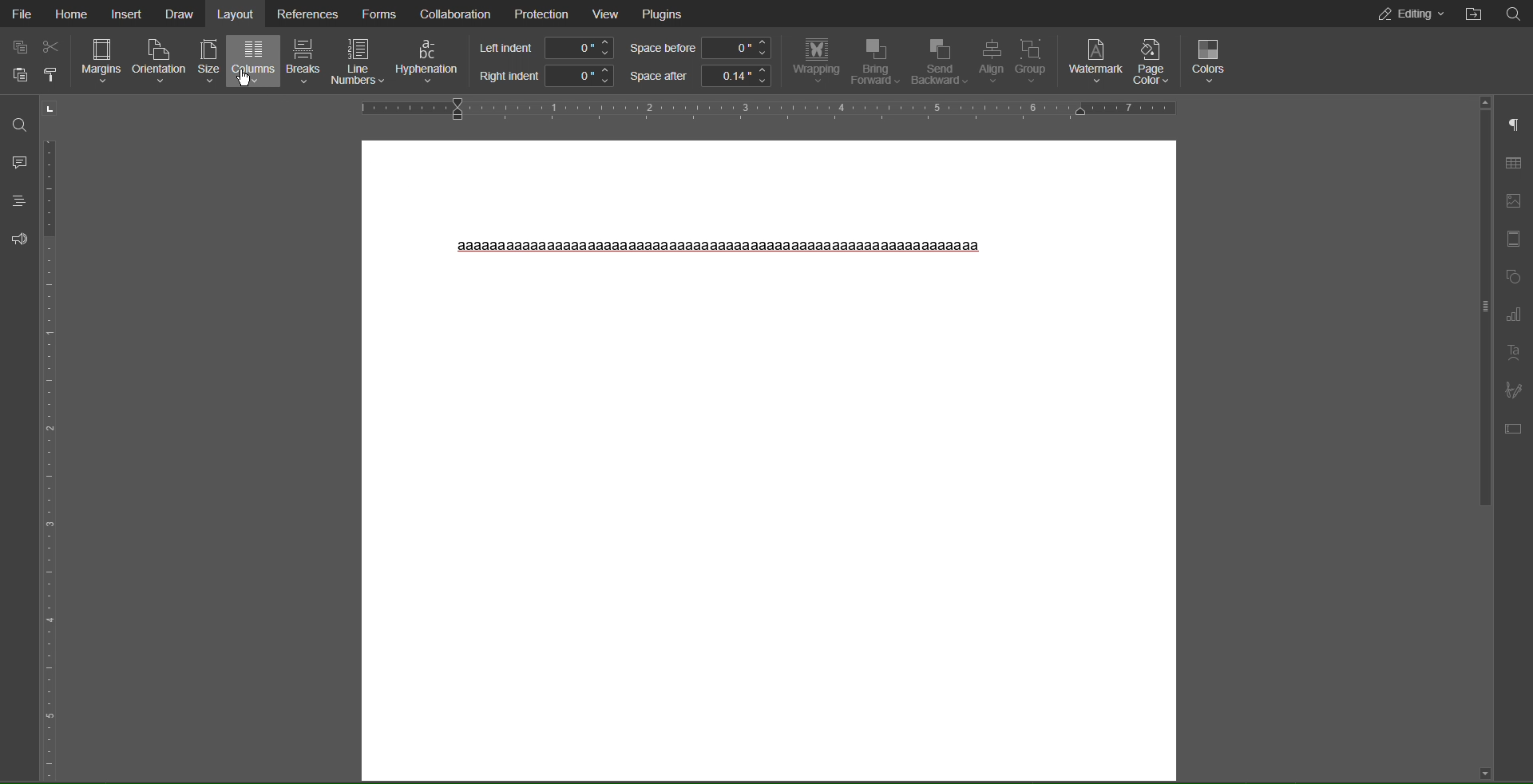 The image size is (1533, 784). What do you see at coordinates (1513, 14) in the screenshot?
I see `Search` at bounding box center [1513, 14].